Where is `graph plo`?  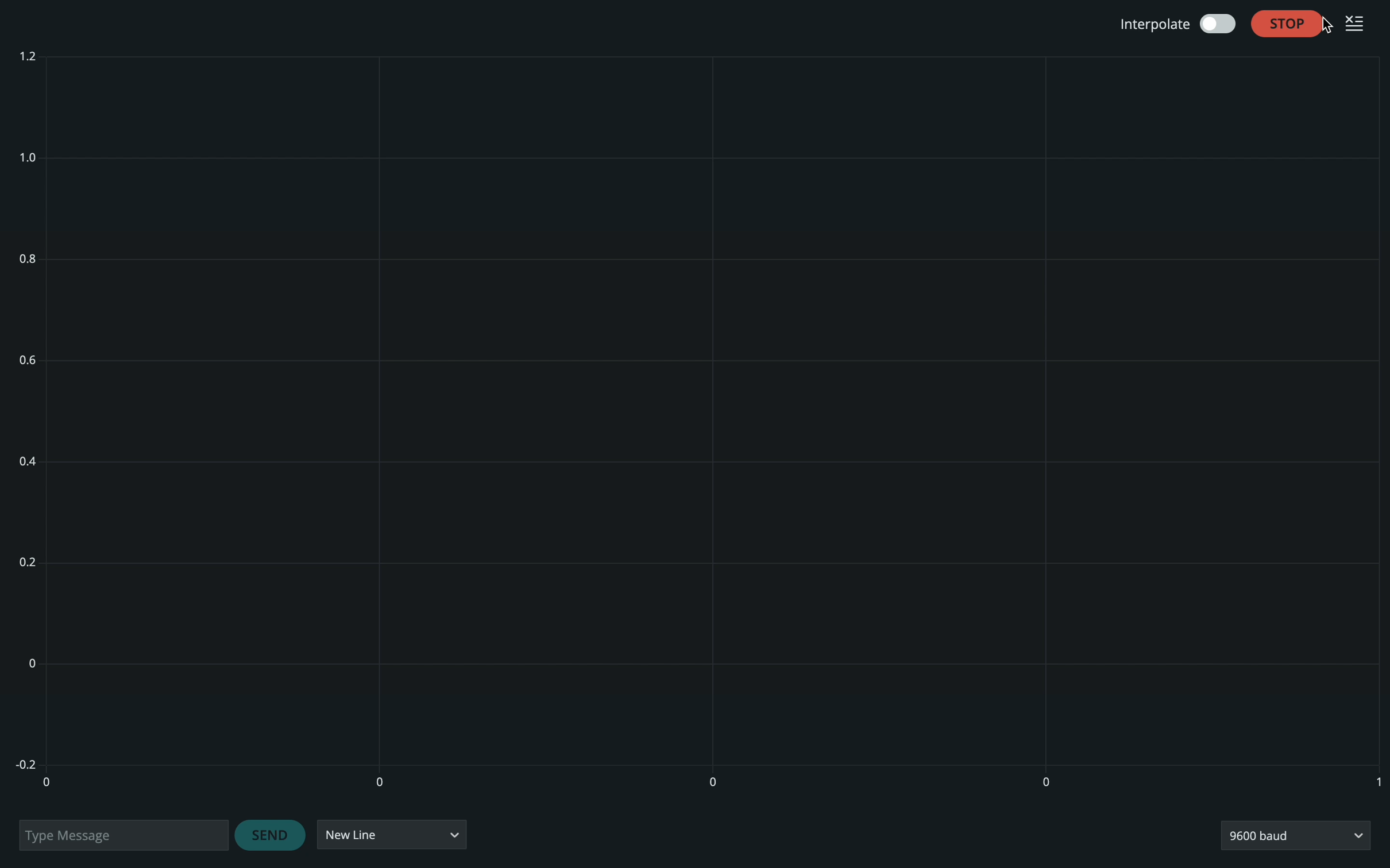
graph plo is located at coordinates (699, 419).